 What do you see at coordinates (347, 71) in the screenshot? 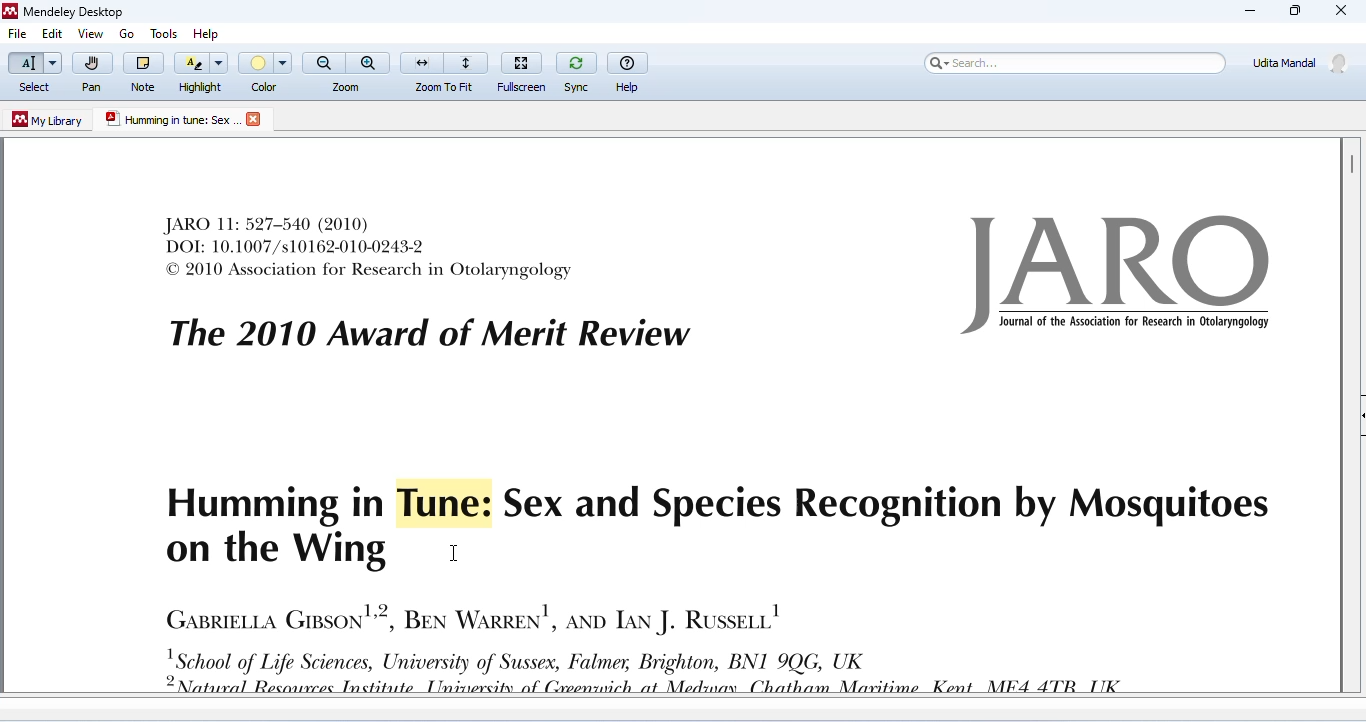
I see `zoom` at bounding box center [347, 71].